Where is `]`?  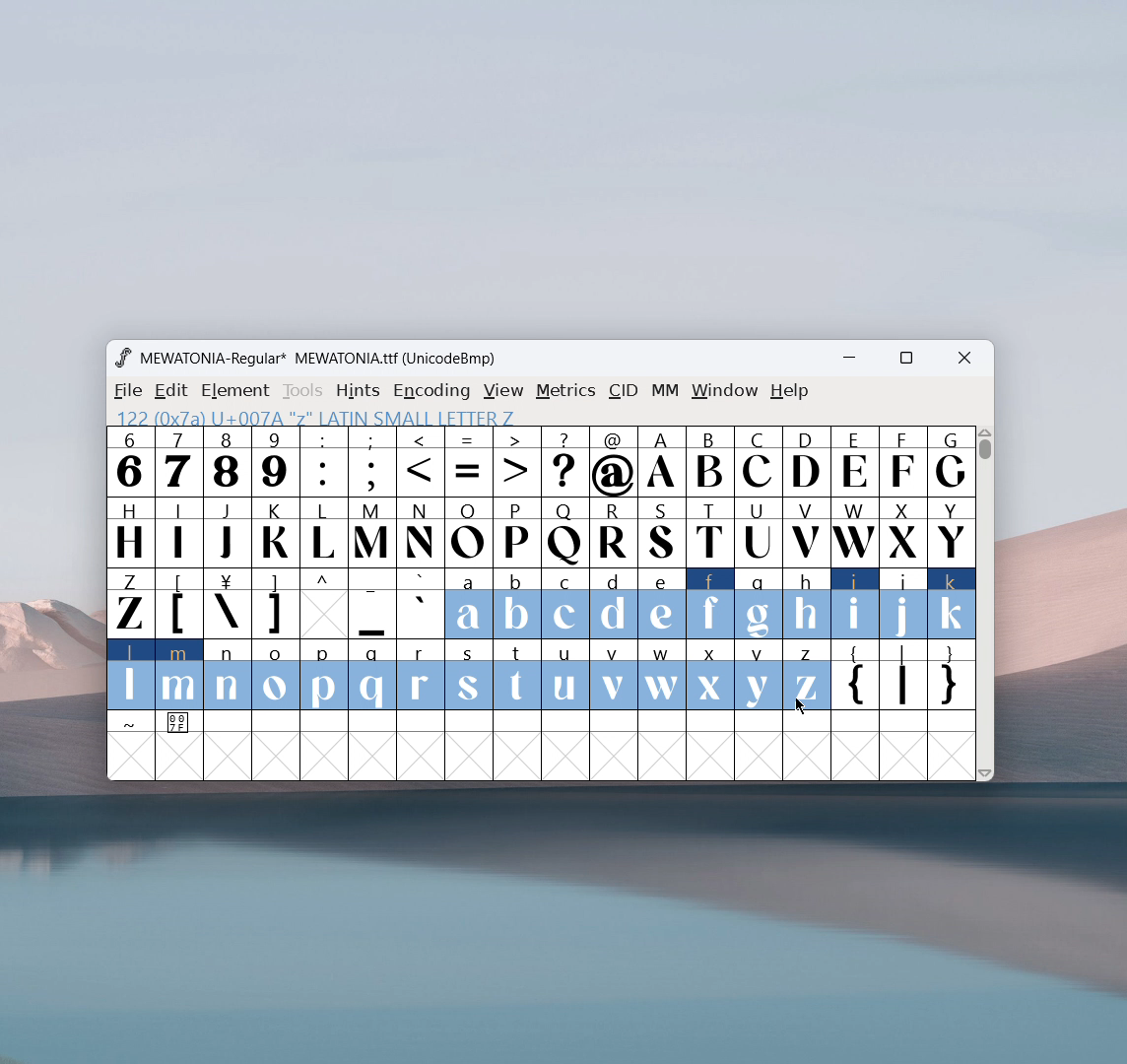 ] is located at coordinates (275, 604).